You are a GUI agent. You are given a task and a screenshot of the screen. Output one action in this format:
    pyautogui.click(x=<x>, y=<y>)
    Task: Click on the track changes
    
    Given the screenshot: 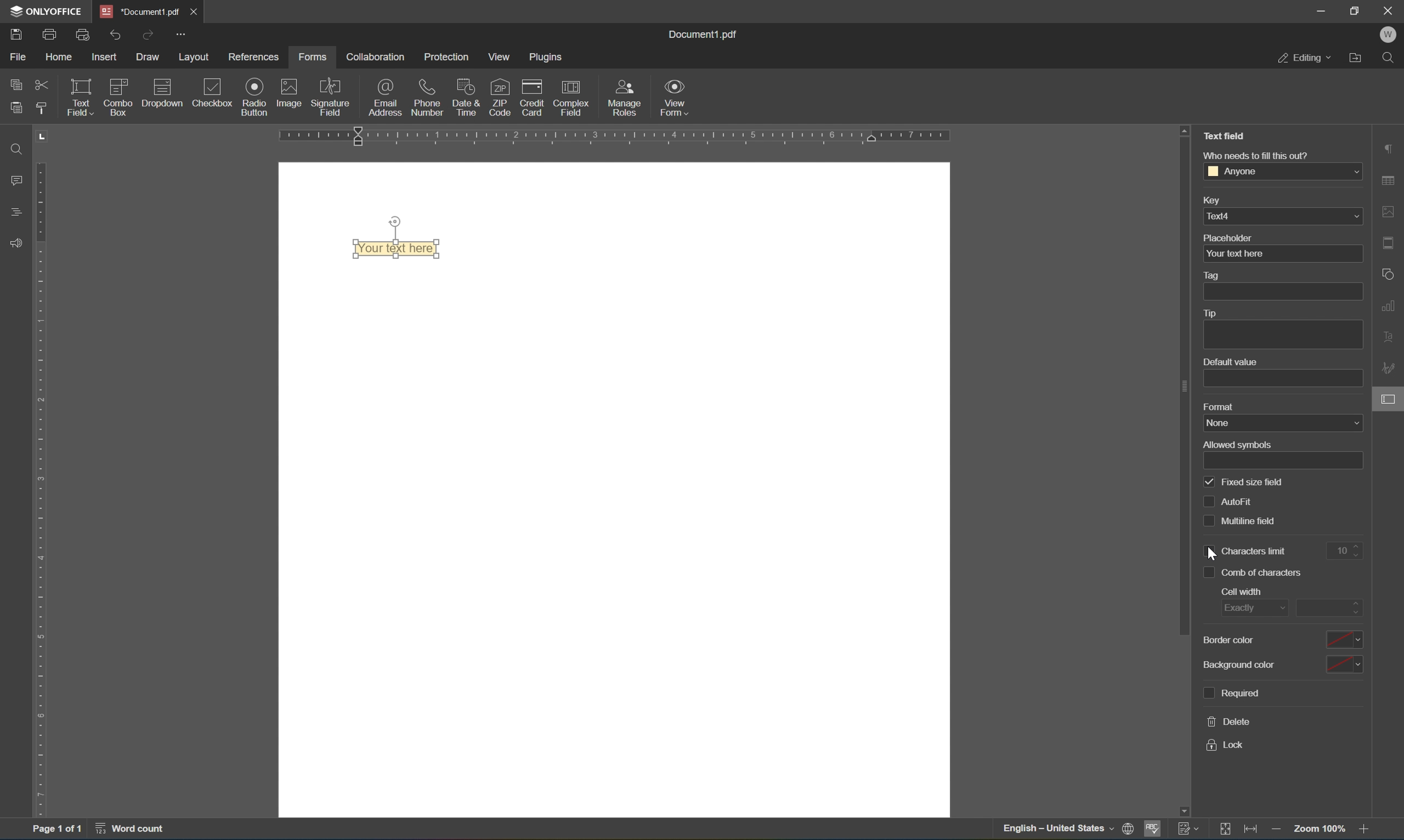 What is the action you would take?
    pyautogui.click(x=1187, y=829)
    